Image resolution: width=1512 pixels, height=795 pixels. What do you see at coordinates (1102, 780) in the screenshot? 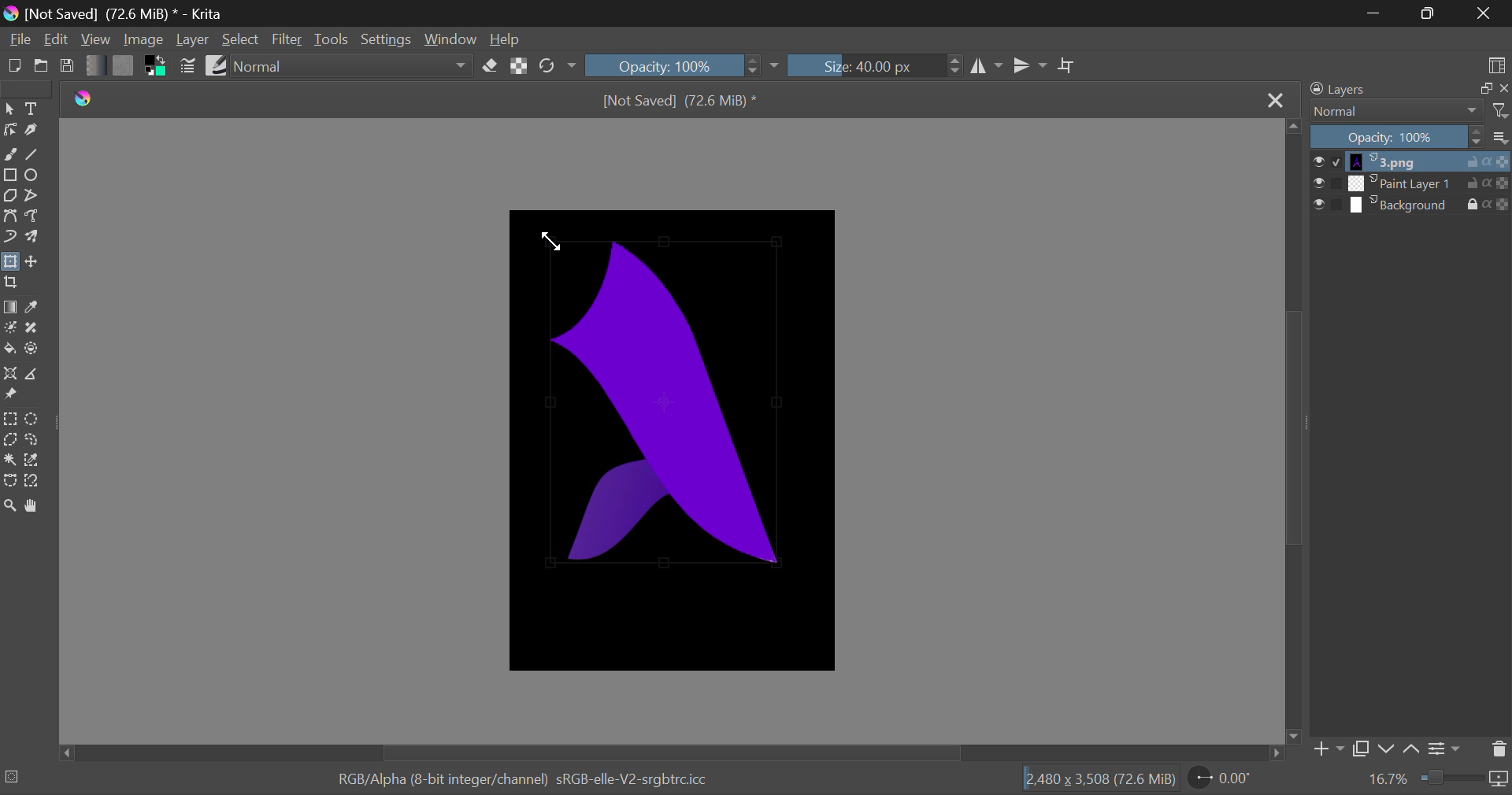
I see `[2.480 x 3,508 (71.4 MiB)` at bounding box center [1102, 780].